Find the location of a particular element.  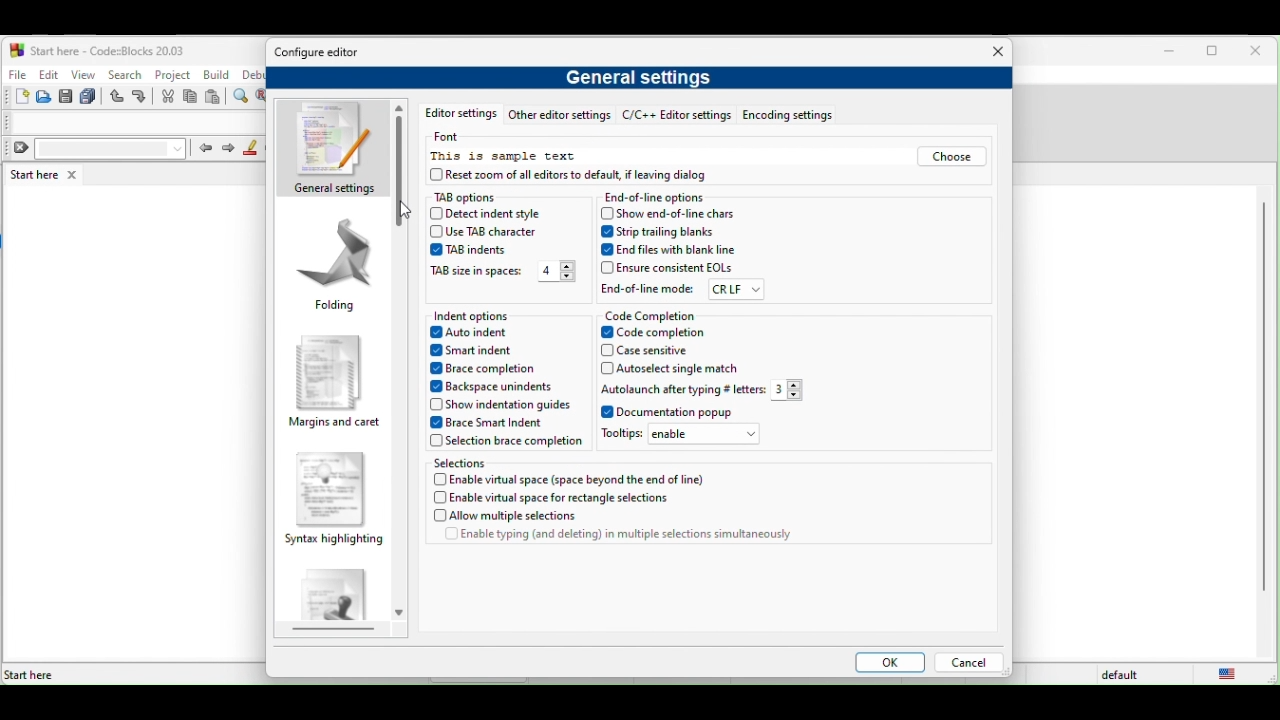

file is located at coordinates (16, 72).